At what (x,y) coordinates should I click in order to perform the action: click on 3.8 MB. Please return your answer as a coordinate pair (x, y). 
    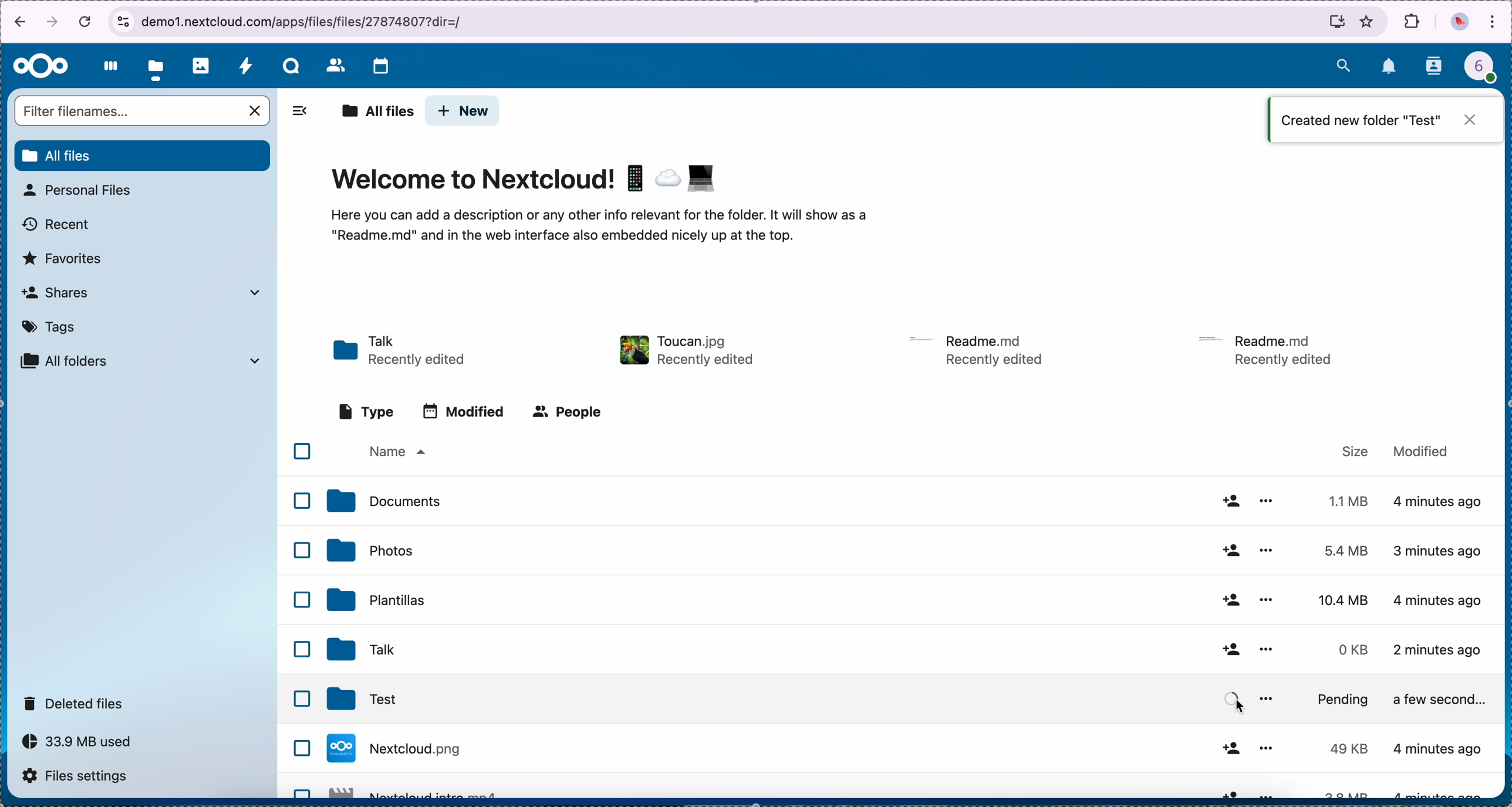
    Looking at the image, I should click on (1343, 750).